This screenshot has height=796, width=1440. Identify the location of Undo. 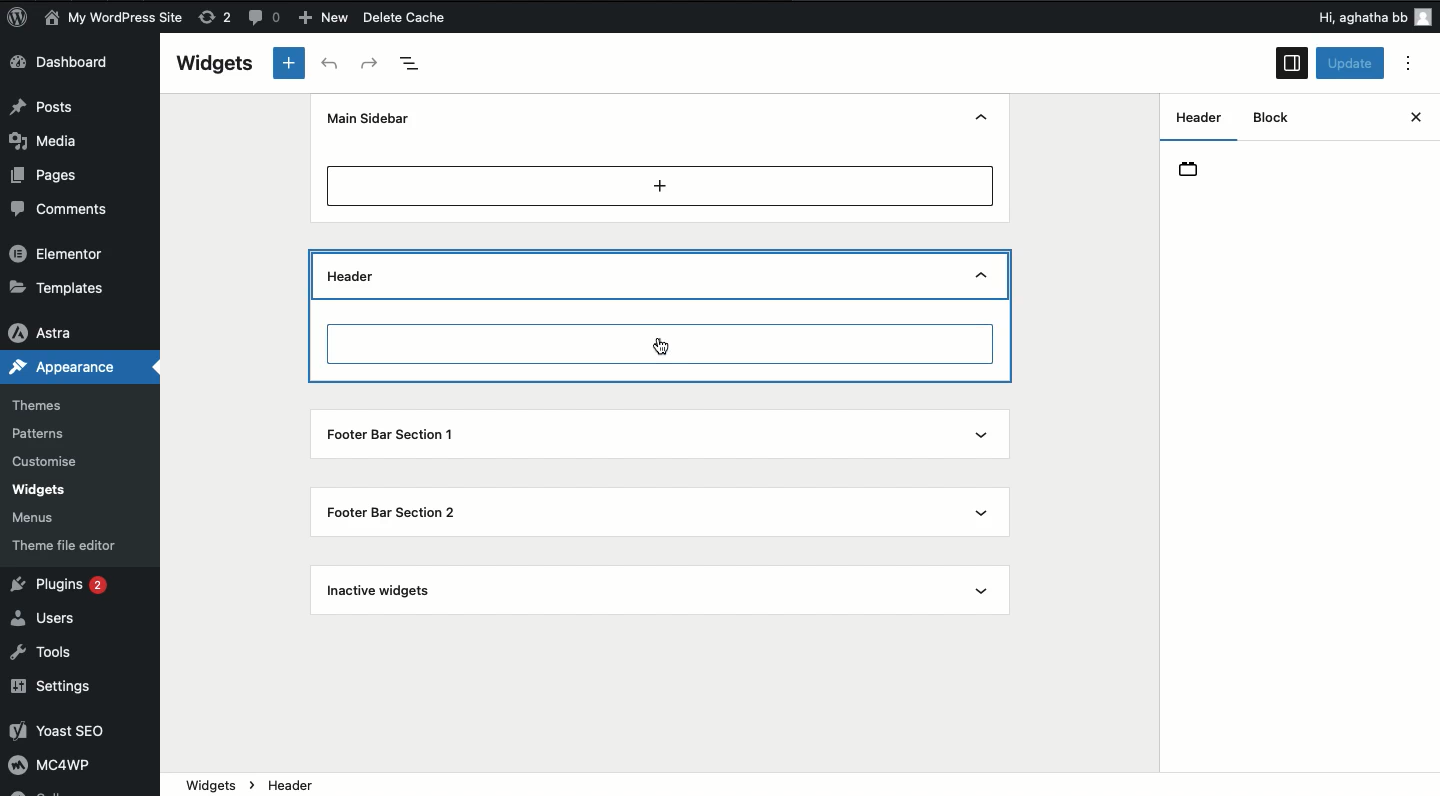
(329, 64).